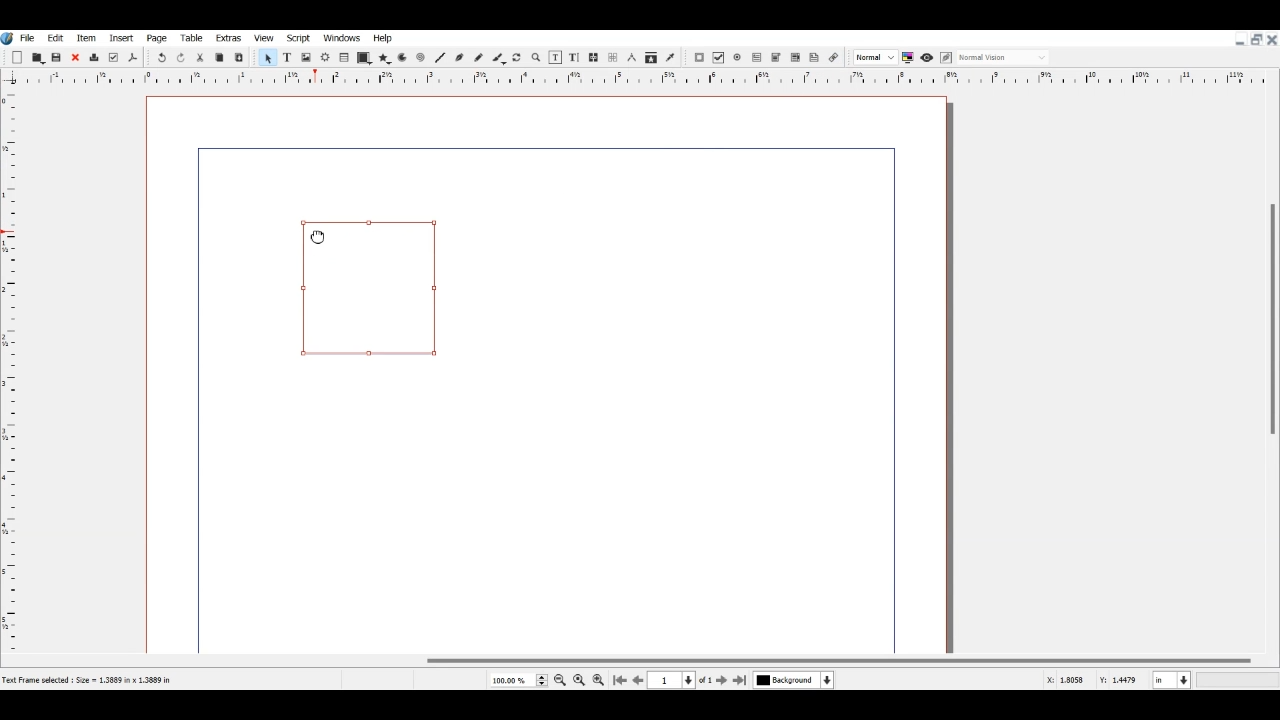  What do you see at coordinates (228, 38) in the screenshot?
I see `Extras` at bounding box center [228, 38].